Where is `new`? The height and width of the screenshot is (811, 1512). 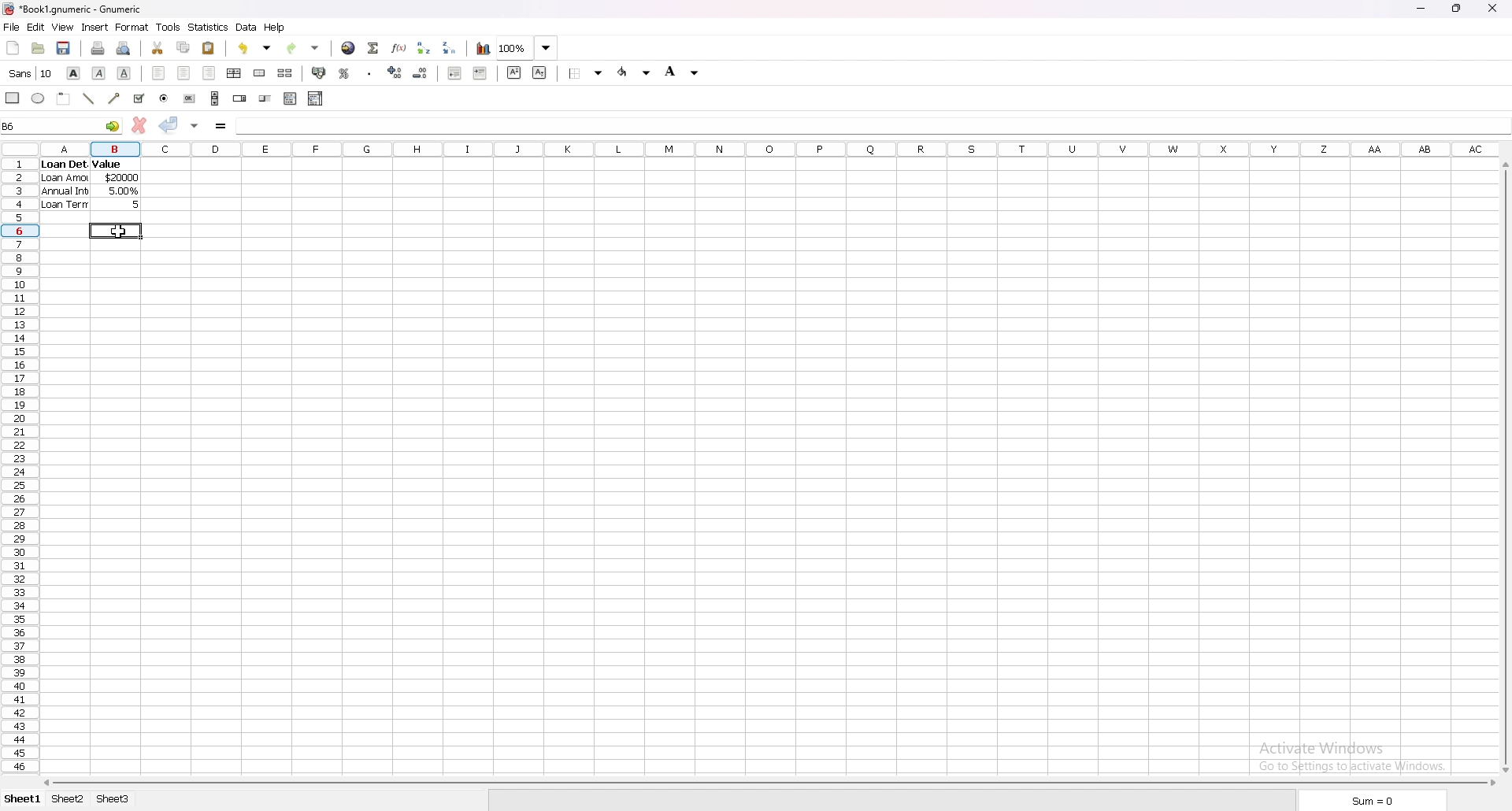
new is located at coordinates (13, 47).